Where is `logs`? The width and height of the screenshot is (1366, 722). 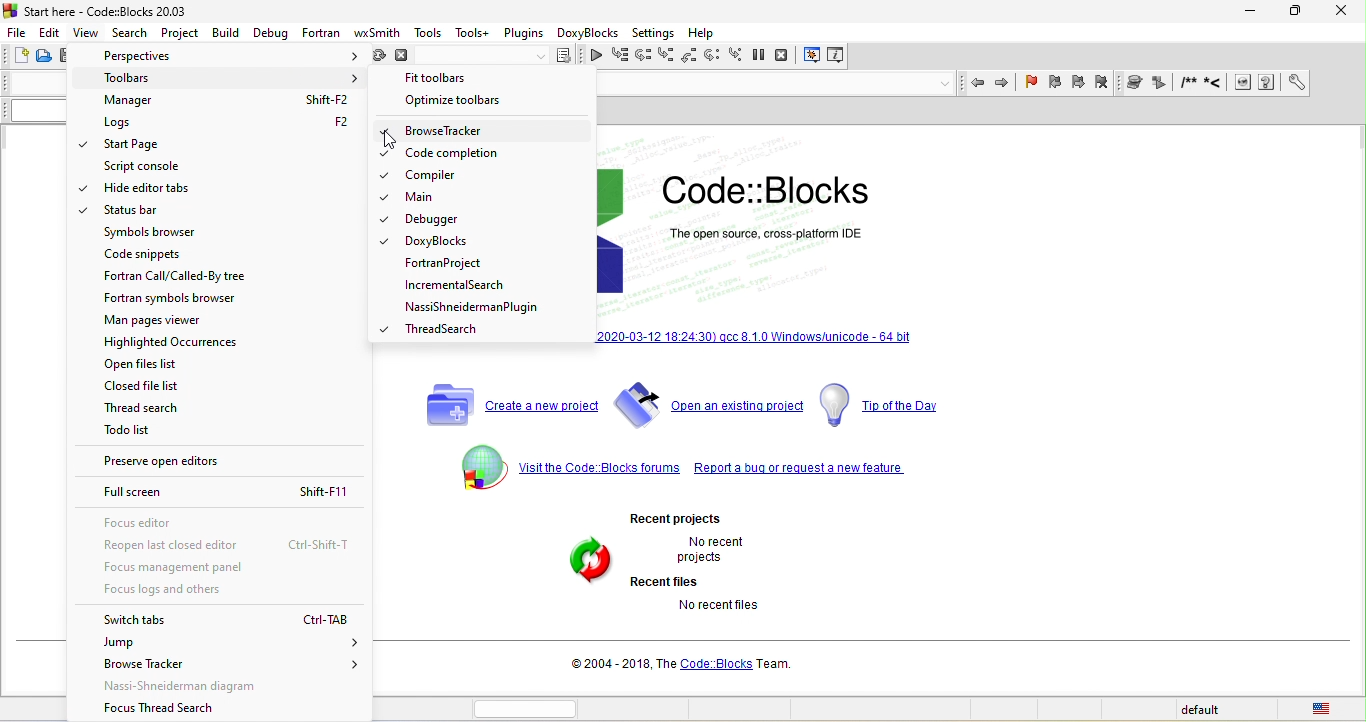 logs is located at coordinates (231, 123).